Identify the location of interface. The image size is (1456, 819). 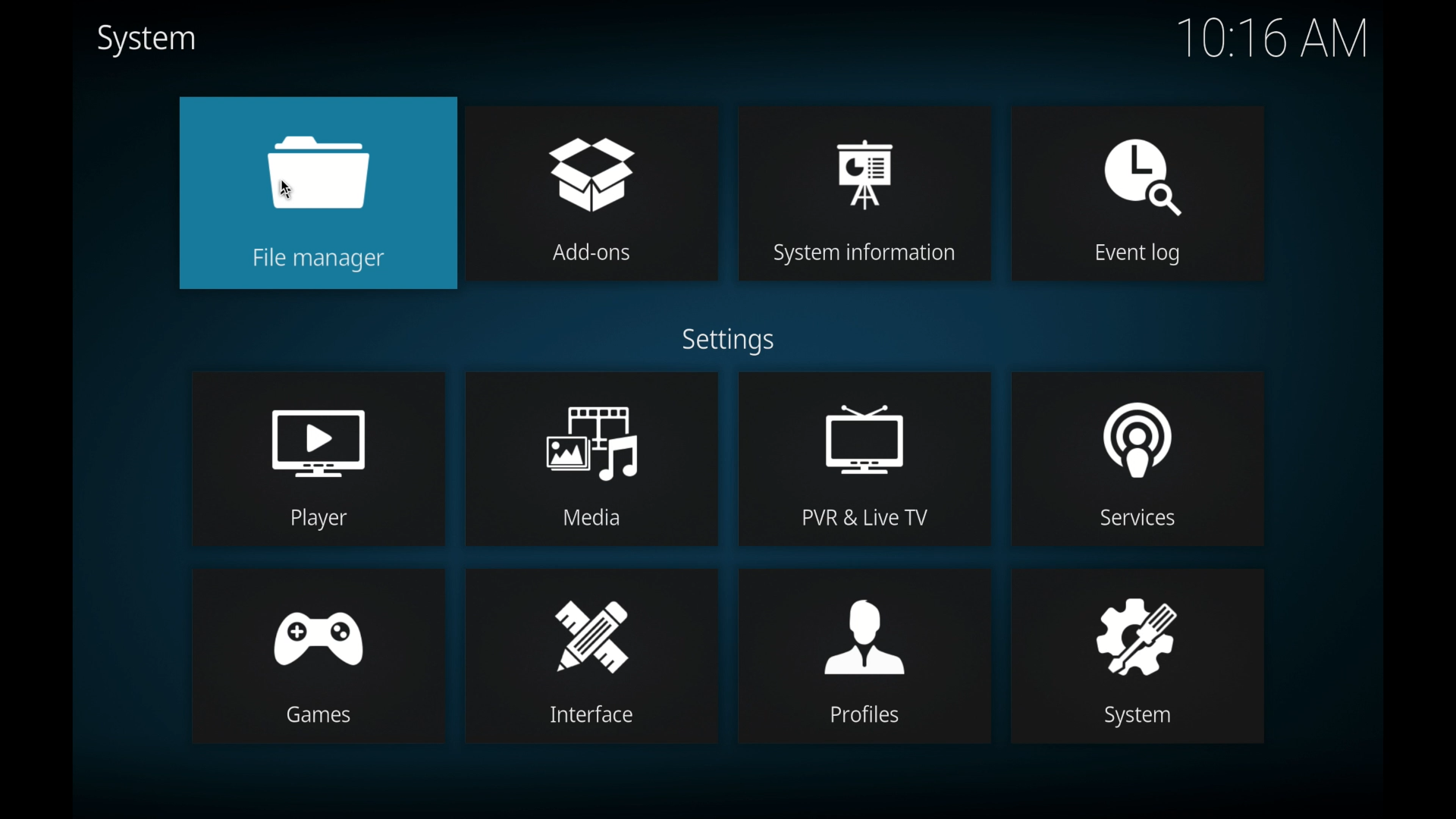
(591, 655).